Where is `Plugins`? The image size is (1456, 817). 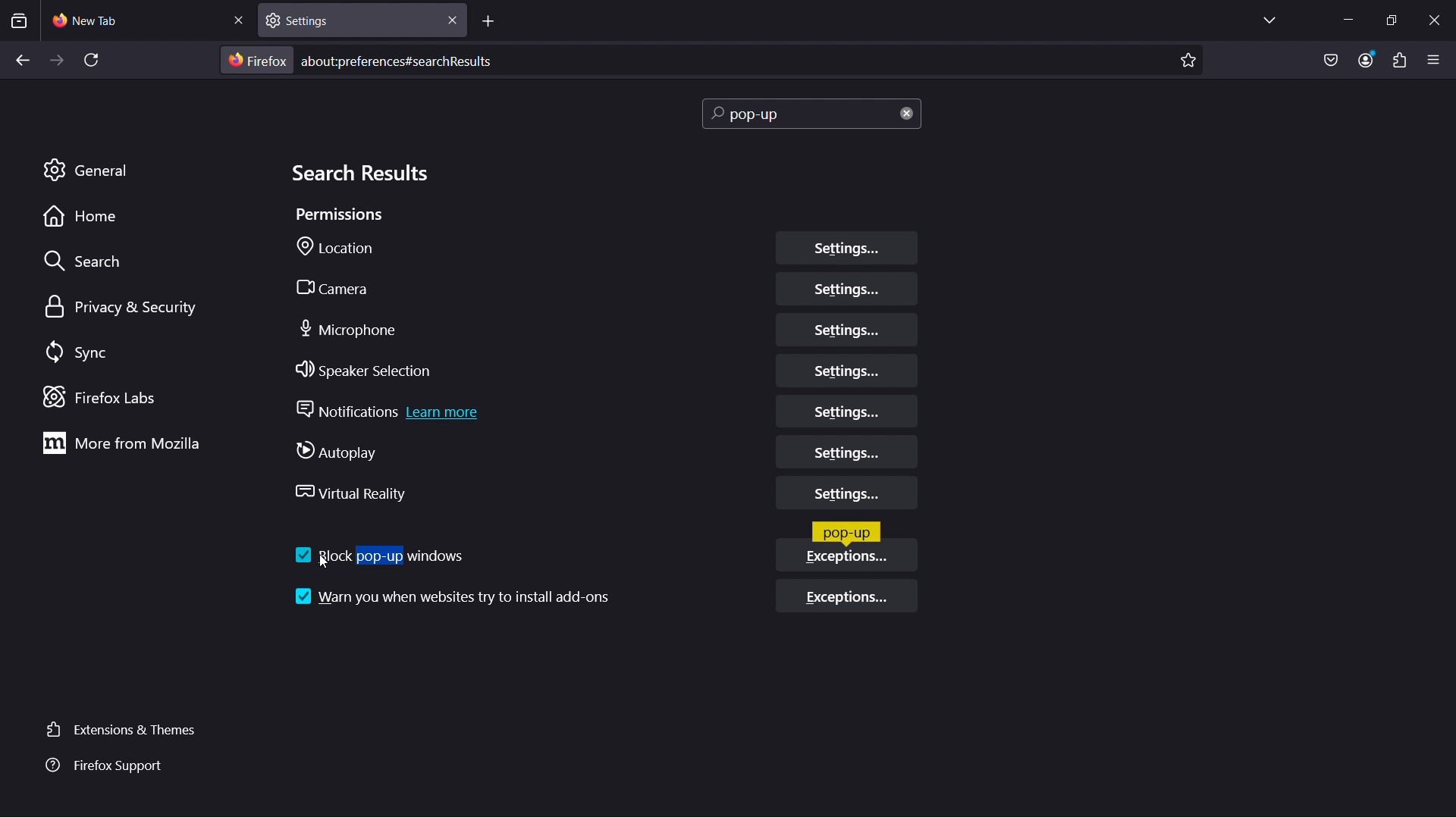 Plugins is located at coordinates (1399, 60).